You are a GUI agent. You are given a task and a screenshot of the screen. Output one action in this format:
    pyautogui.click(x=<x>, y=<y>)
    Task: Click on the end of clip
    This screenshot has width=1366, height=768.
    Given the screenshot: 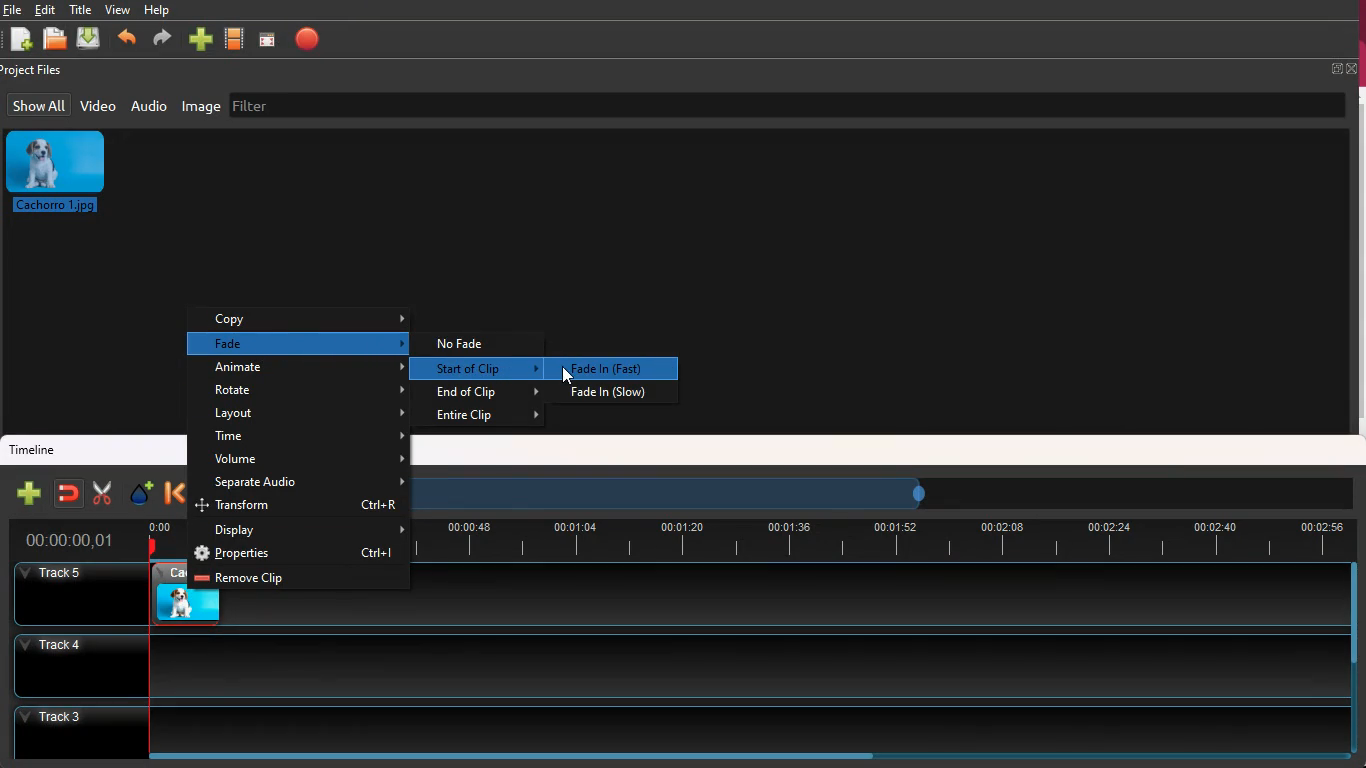 What is the action you would take?
    pyautogui.click(x=485, y=393)
    